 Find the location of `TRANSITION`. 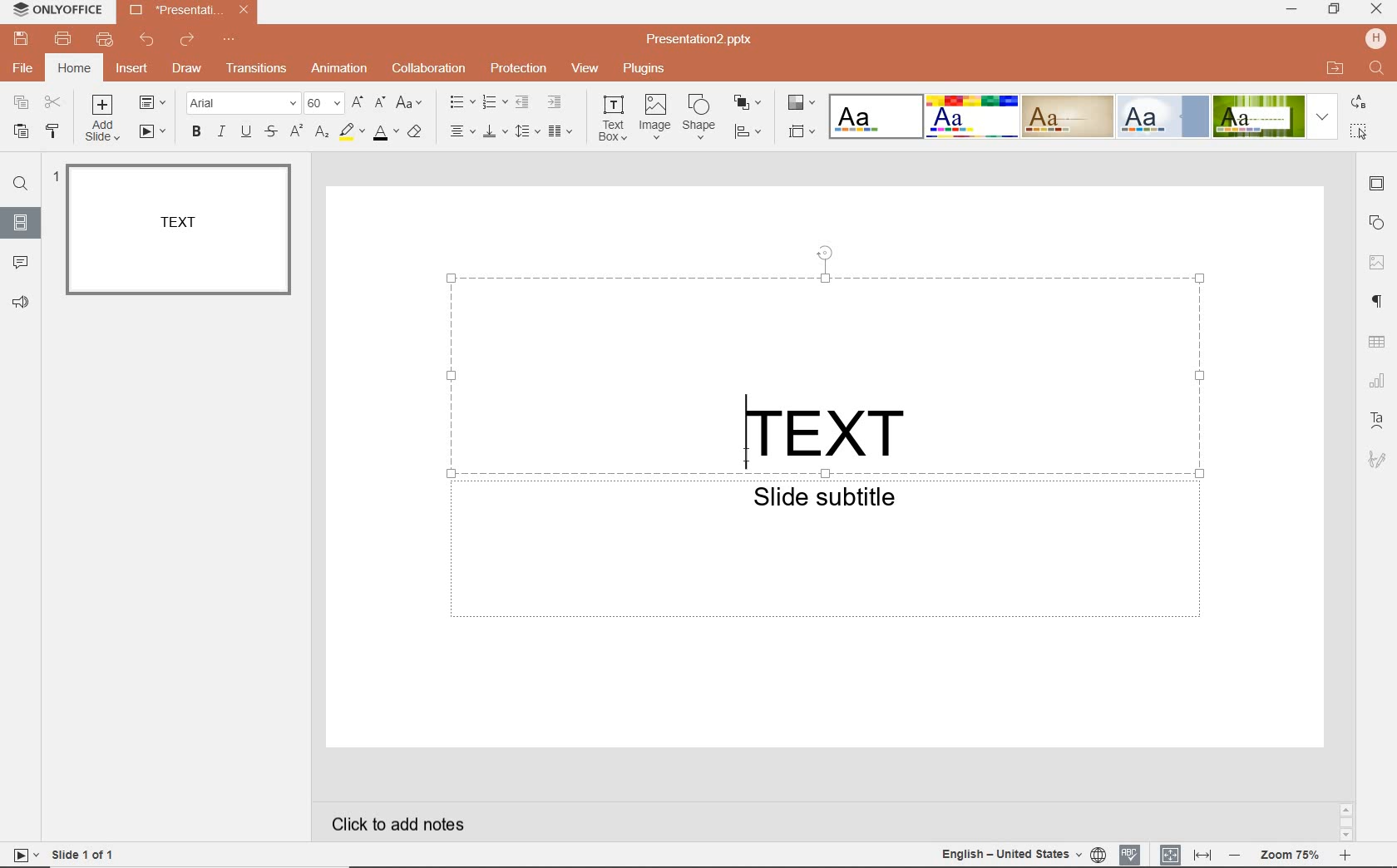

TRANSITION is located at coordinates (258, 68).